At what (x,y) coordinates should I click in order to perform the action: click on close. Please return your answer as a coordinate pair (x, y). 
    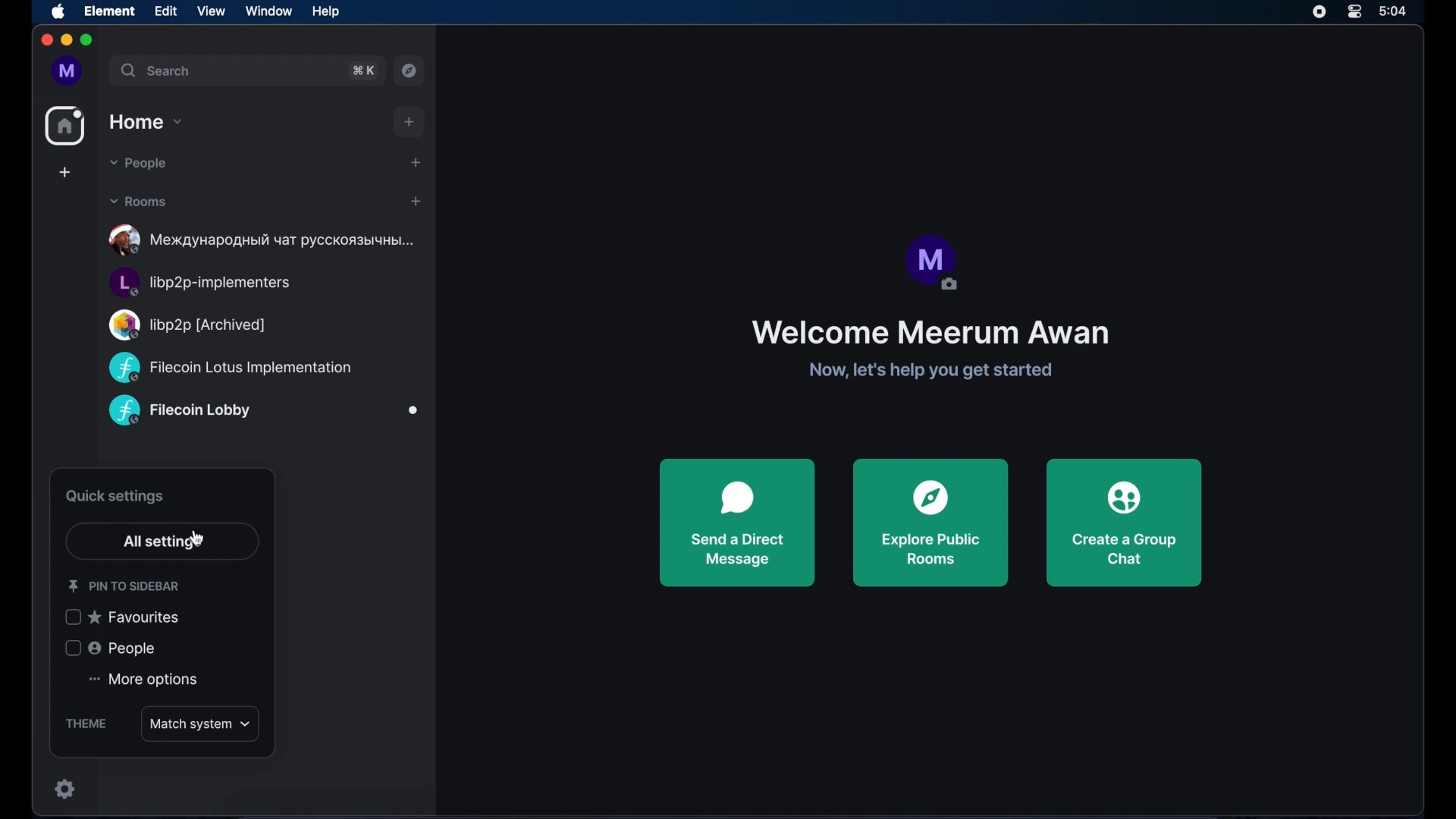
    Looking at the image, I should click on (45, 40).